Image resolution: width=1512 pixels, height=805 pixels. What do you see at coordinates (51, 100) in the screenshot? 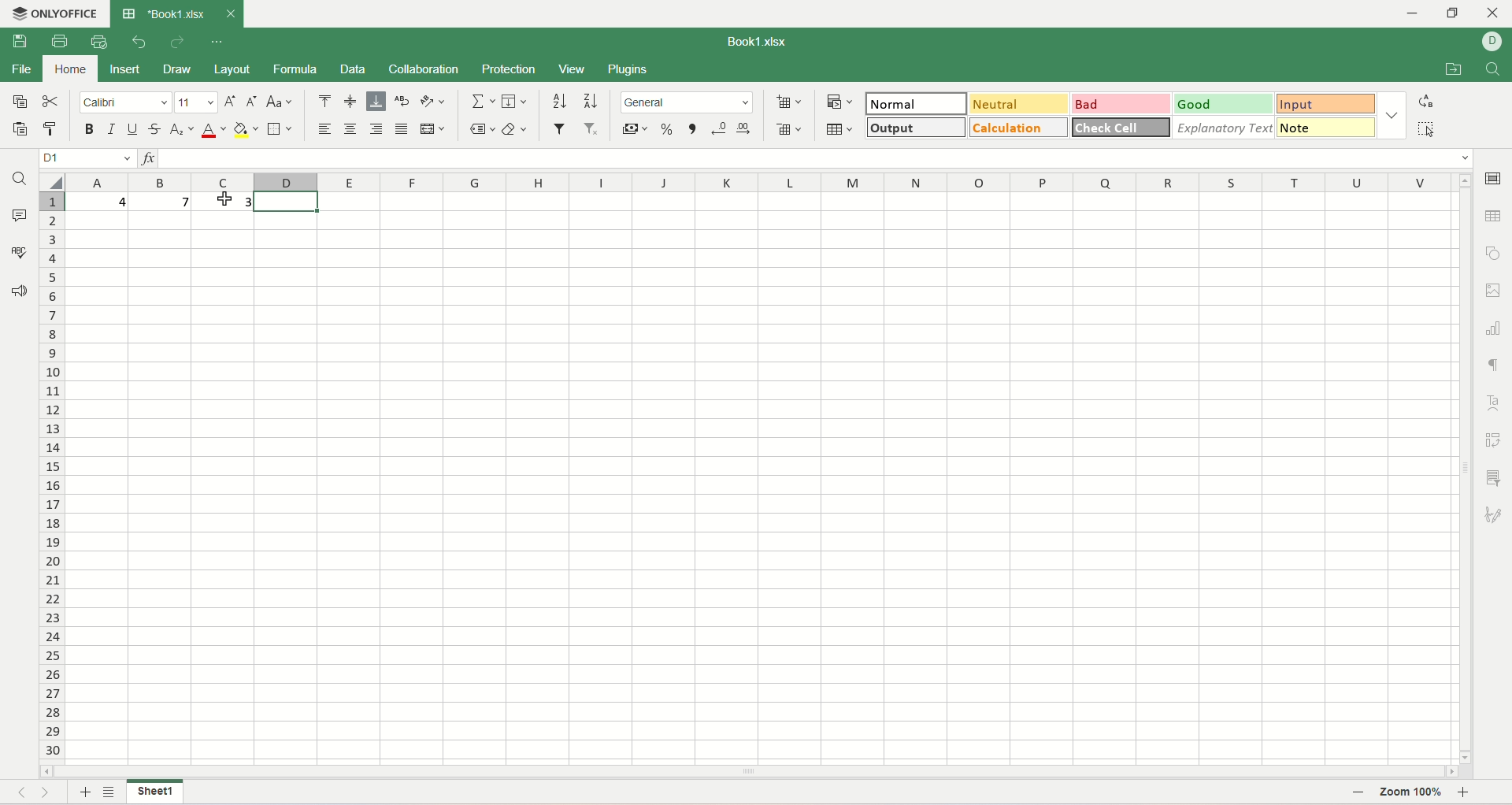
I see `cut` at bounding box center [51, 100].